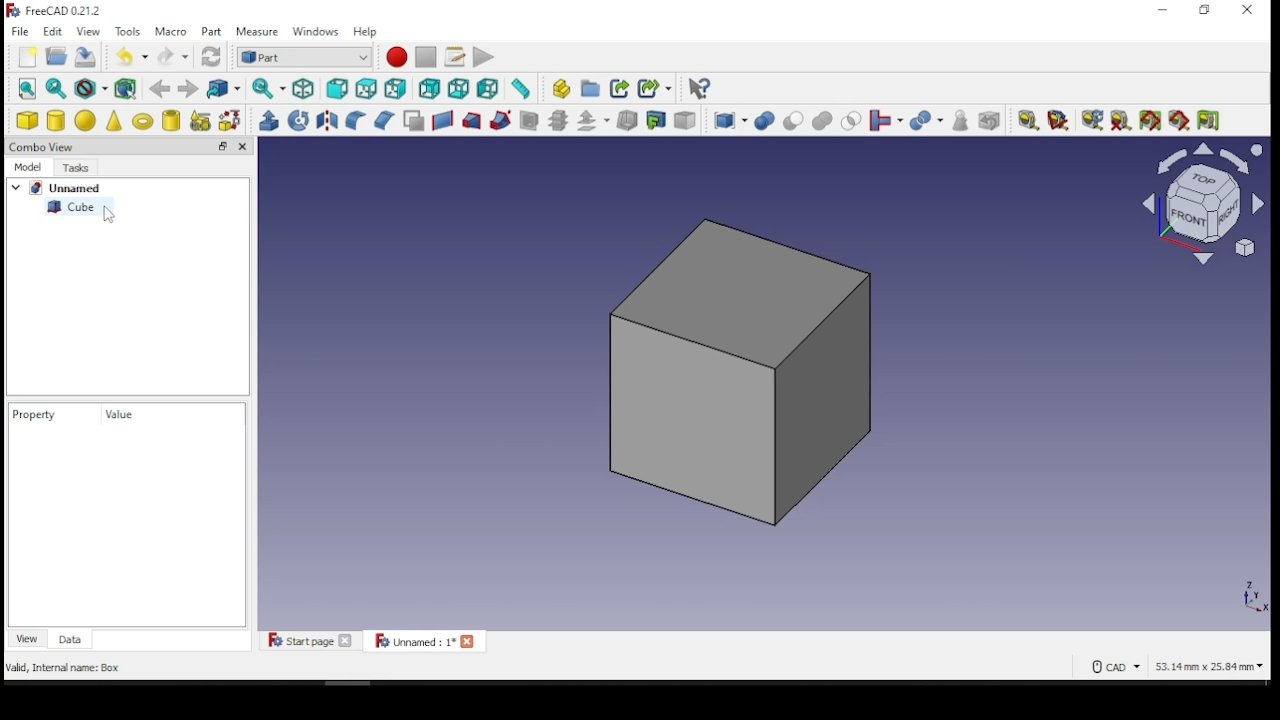 The width and height of the screenshot is (1280, 720). Describe the element at coordinates (28, 120) in the screenshot. I see `cube` at that location.